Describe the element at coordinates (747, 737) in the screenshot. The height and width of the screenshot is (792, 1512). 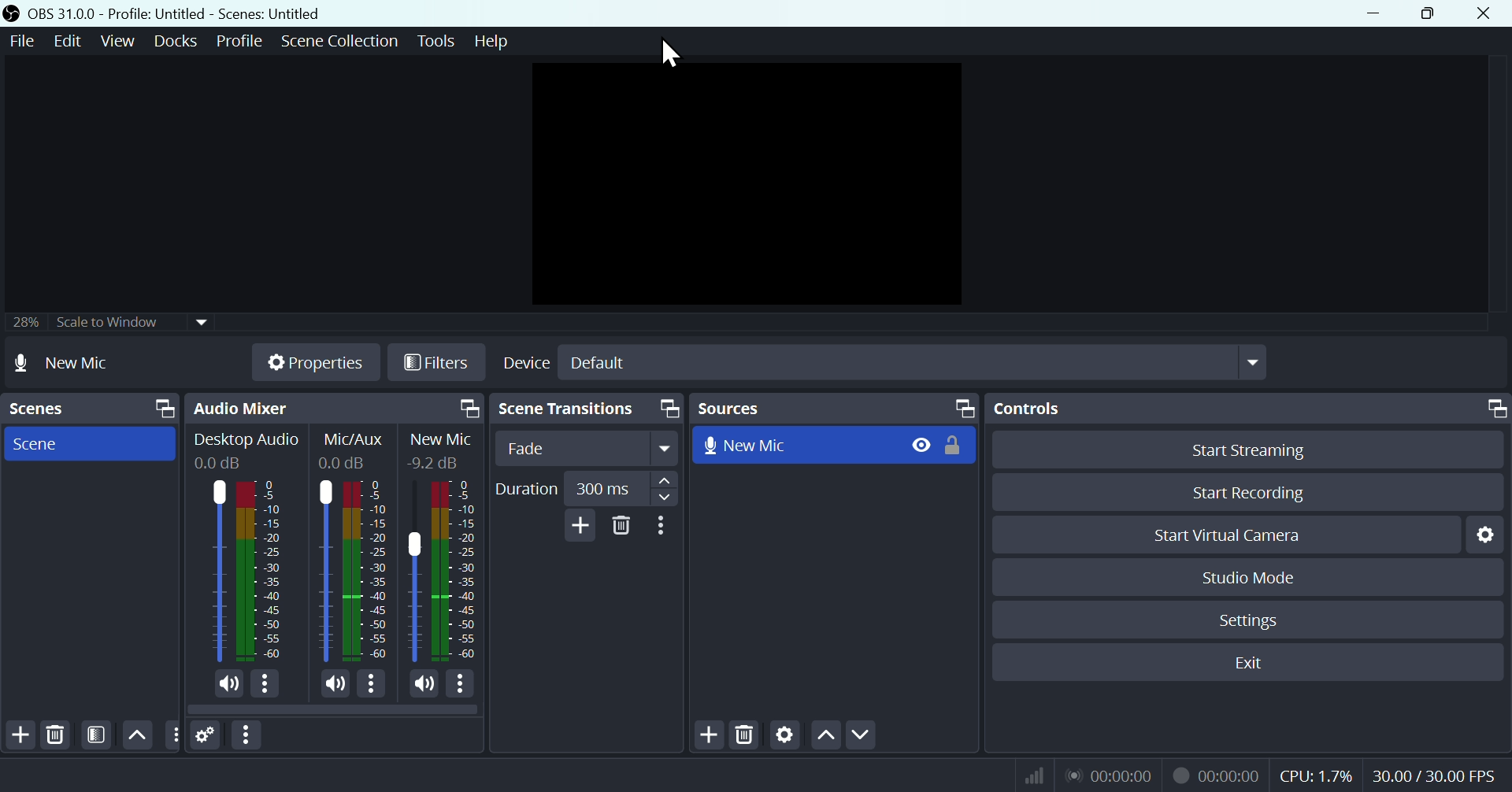
I see `Delete` at that location.